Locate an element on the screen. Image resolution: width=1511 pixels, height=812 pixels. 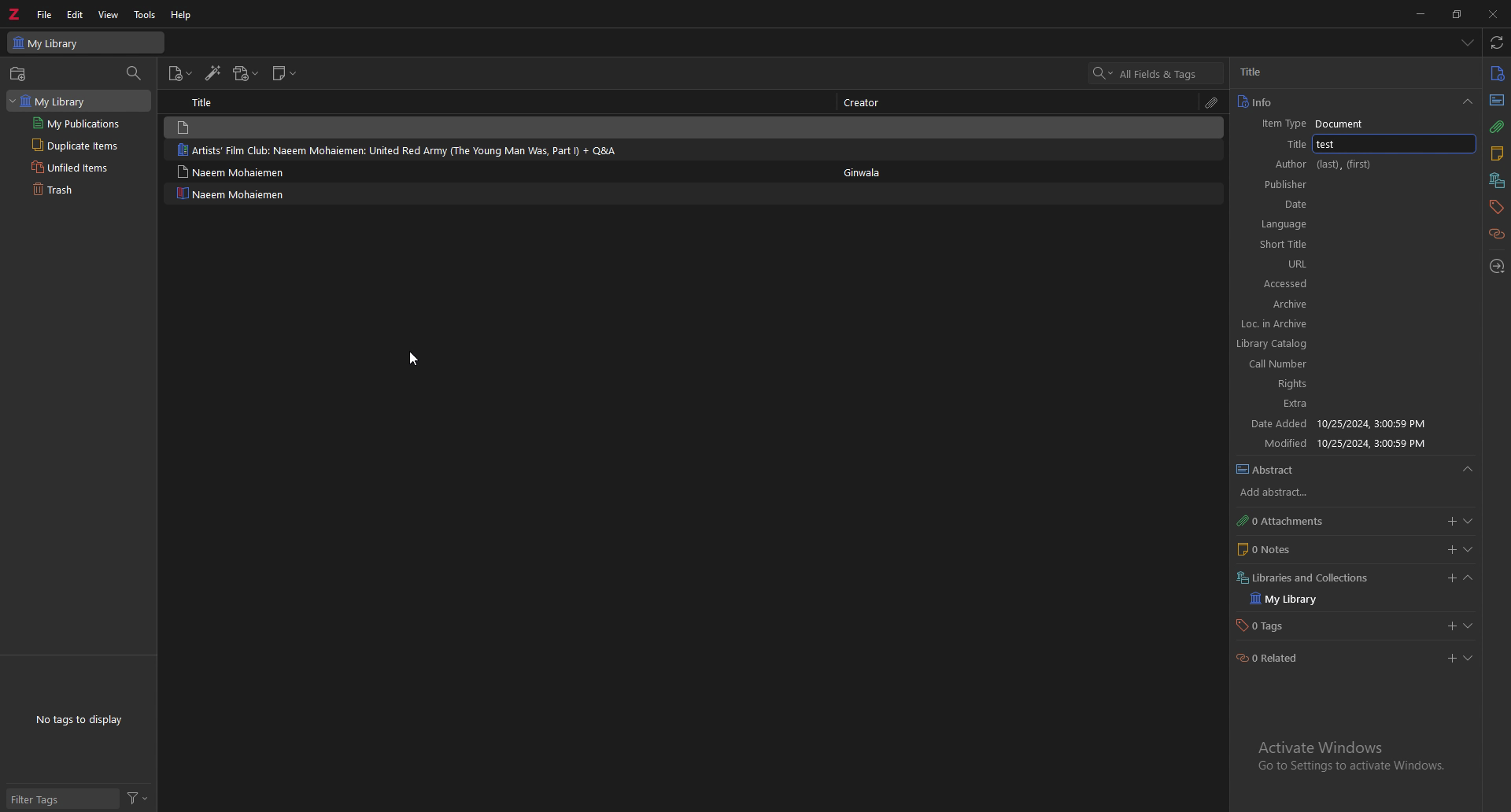
info is located at coordinates (1342, 102).